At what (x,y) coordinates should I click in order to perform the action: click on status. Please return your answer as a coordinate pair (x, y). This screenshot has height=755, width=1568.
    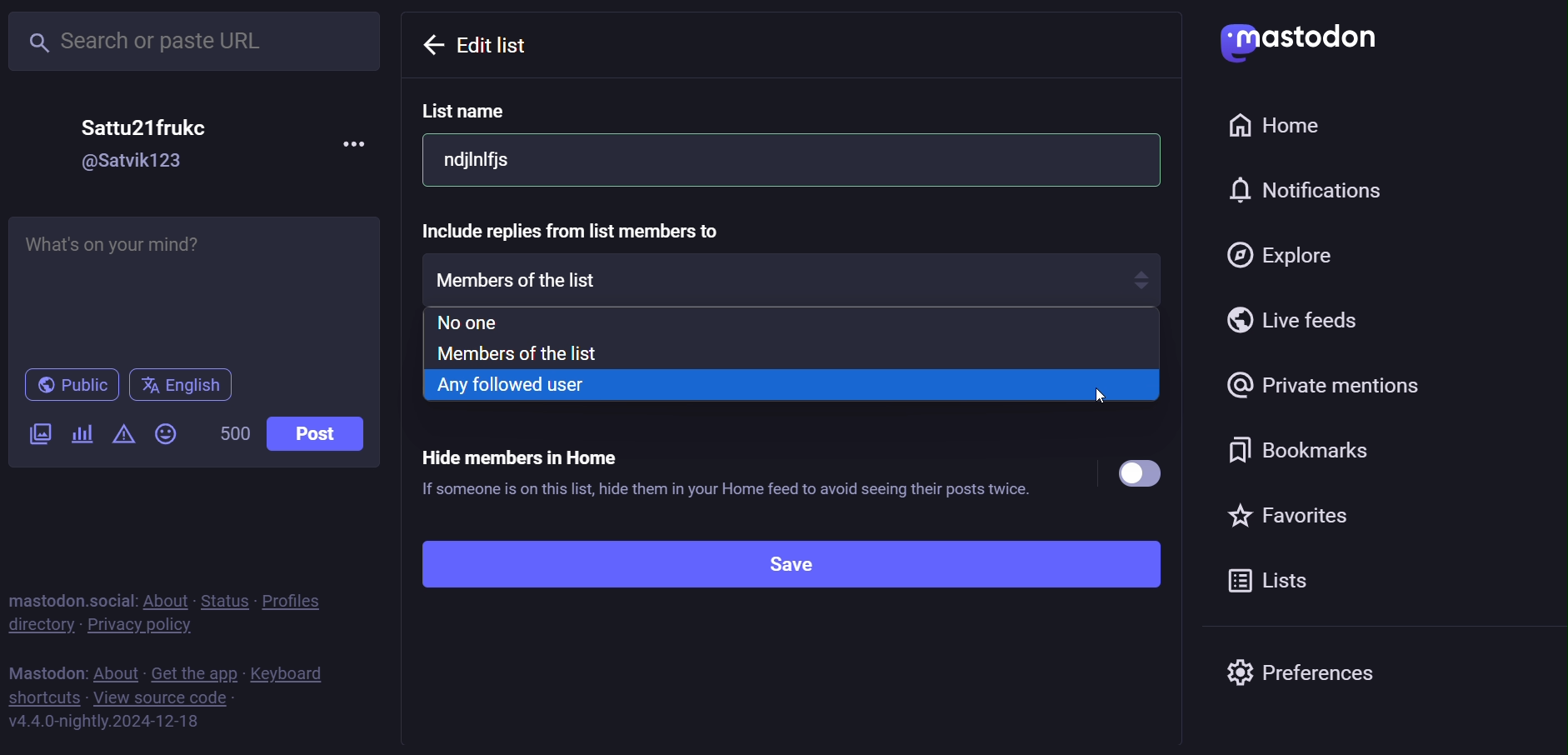
    Looking at the image, I should click on (224, 598).